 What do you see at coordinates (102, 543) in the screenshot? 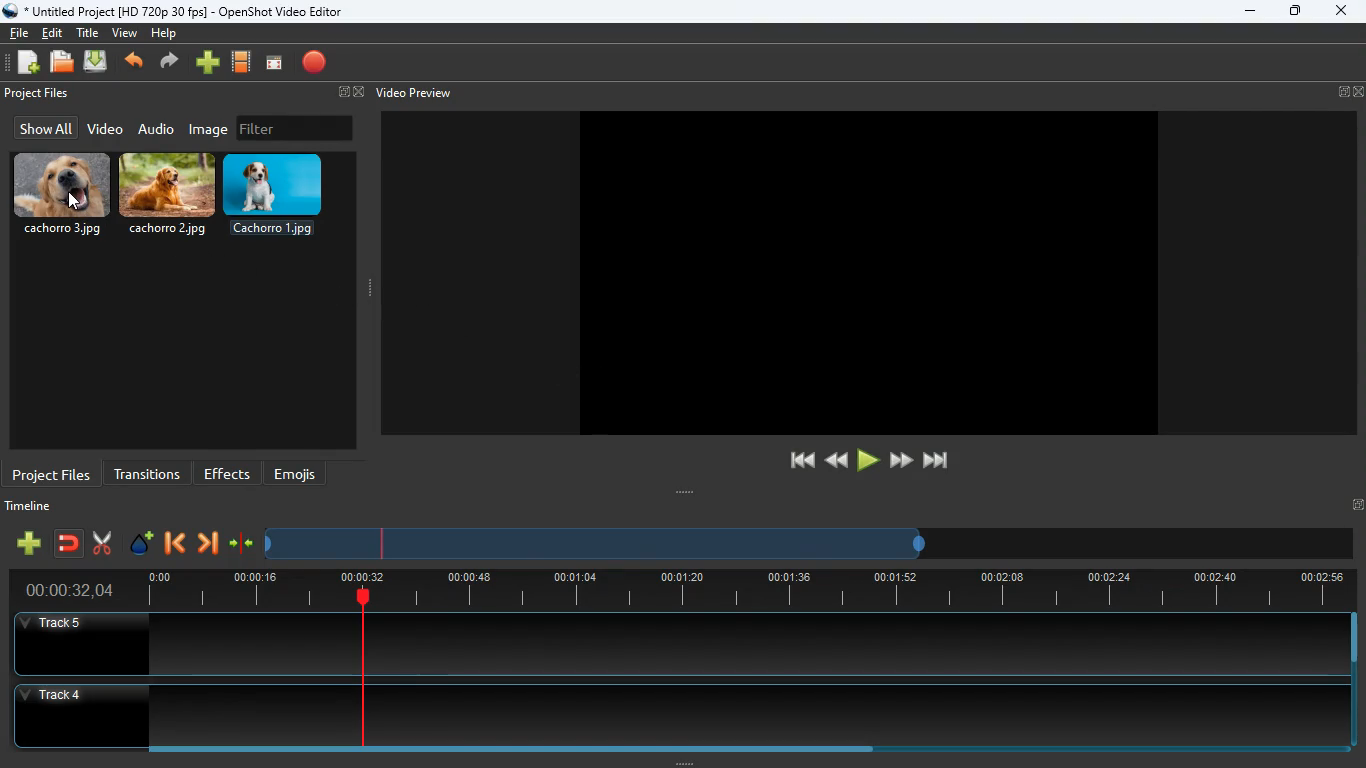
I see `cut` at bounding box center [102, 543].